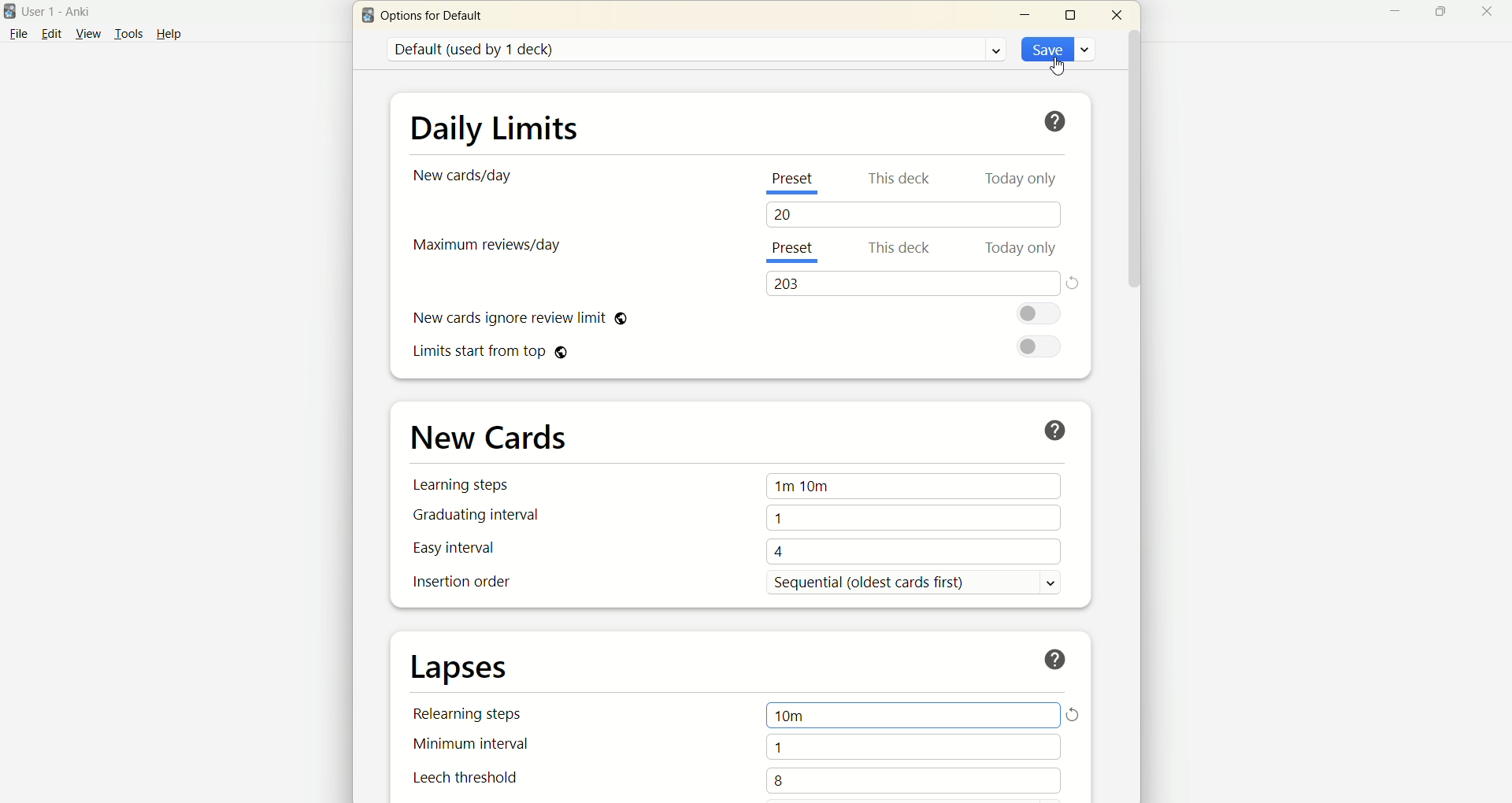 This screenshot has height=803, width=1512. What do you see at coordinates (923, 583) in the screenshot?
I see `sequential` at bounding box center [923, 583].